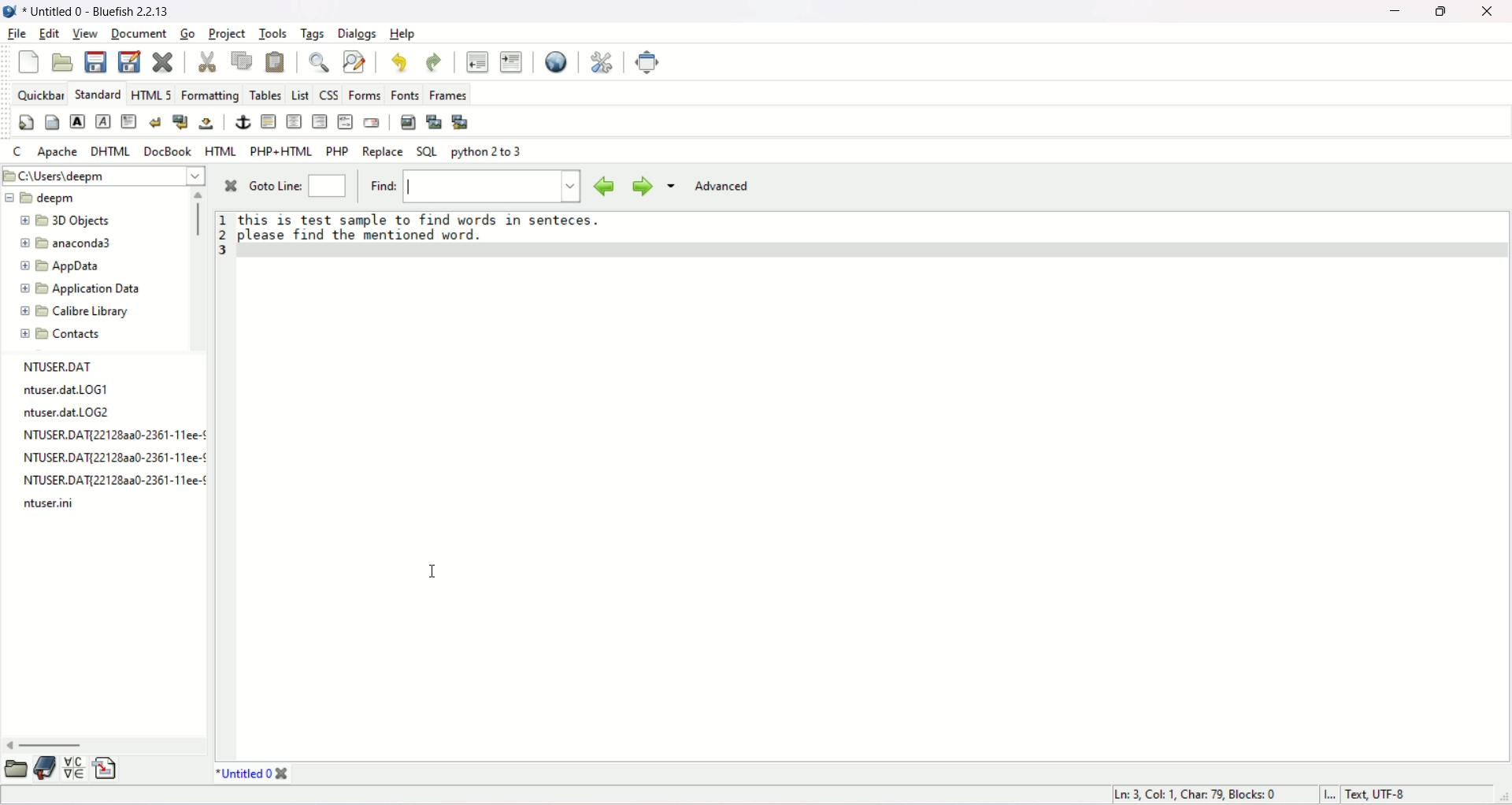 This screenshot has width=1512, height=805. What do you see at coordinates (281, 151) in the screenshot?
I see `PHP+HTML` at bounding box center [281, 151].